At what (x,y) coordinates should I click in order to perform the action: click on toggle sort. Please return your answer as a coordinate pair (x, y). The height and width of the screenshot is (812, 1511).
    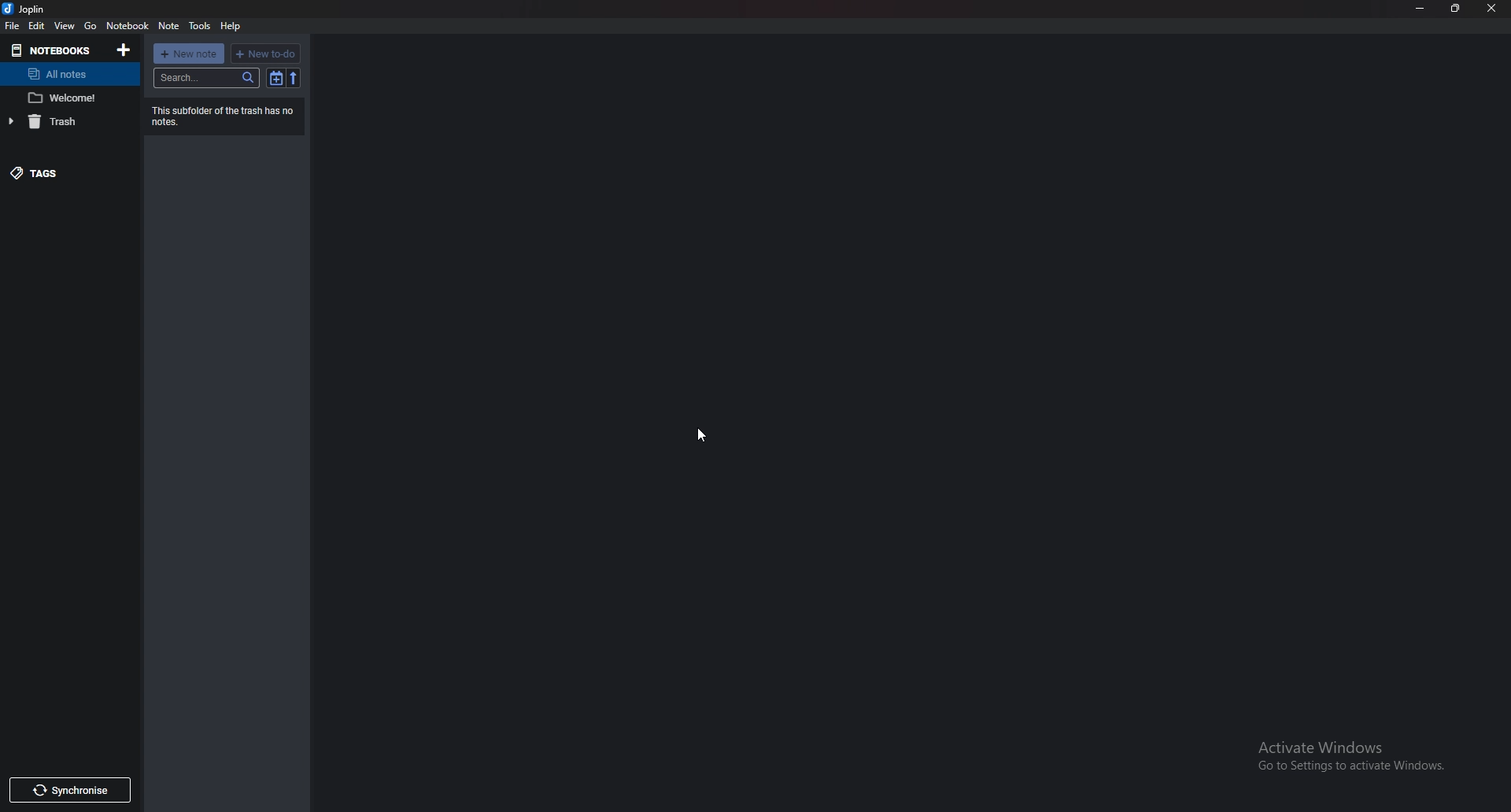
    Looking at the image, I should click on (276, 79).